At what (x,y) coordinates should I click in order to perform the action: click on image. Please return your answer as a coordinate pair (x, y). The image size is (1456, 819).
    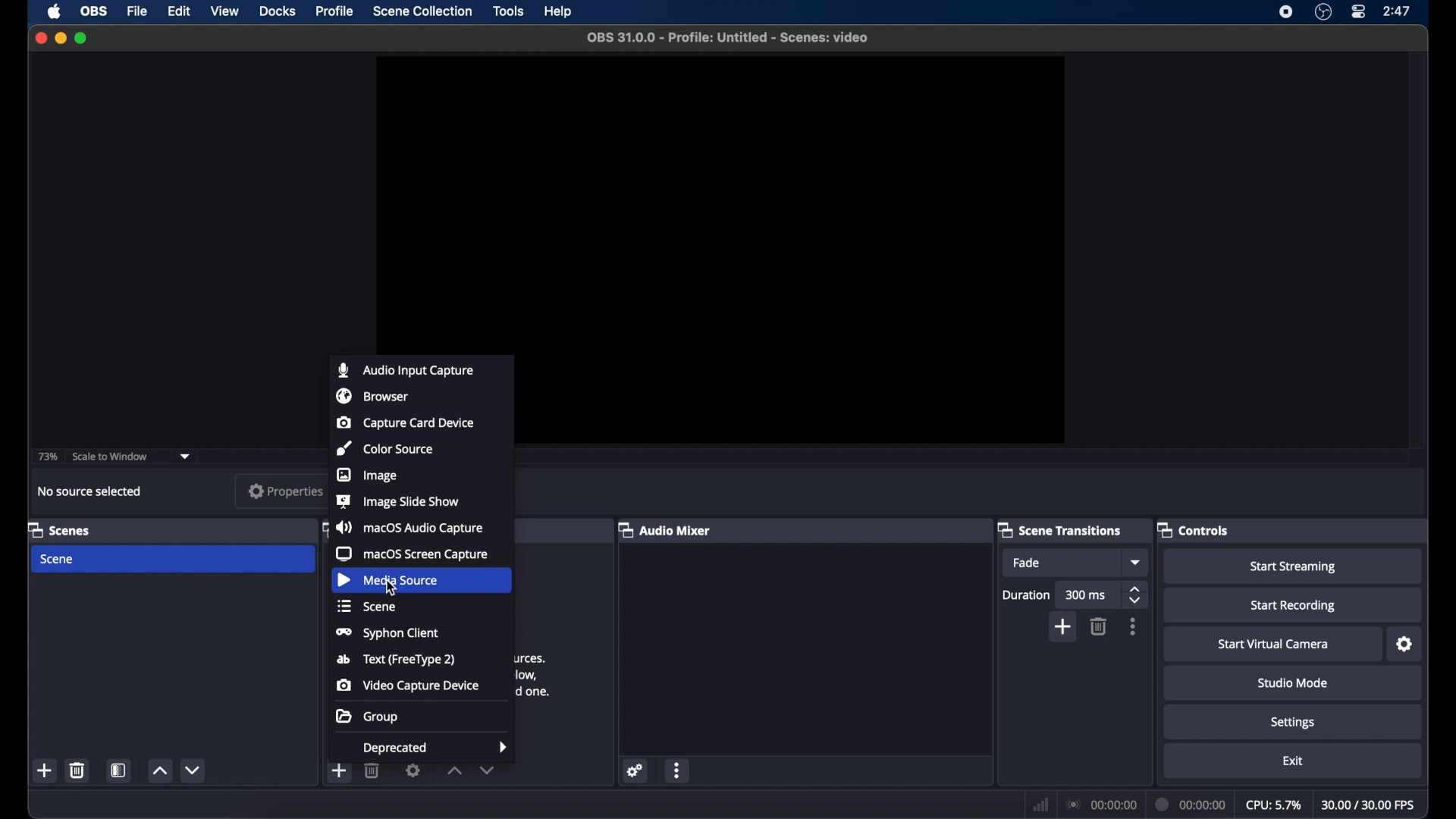
    Looking at the image, I should click on (367, 475).